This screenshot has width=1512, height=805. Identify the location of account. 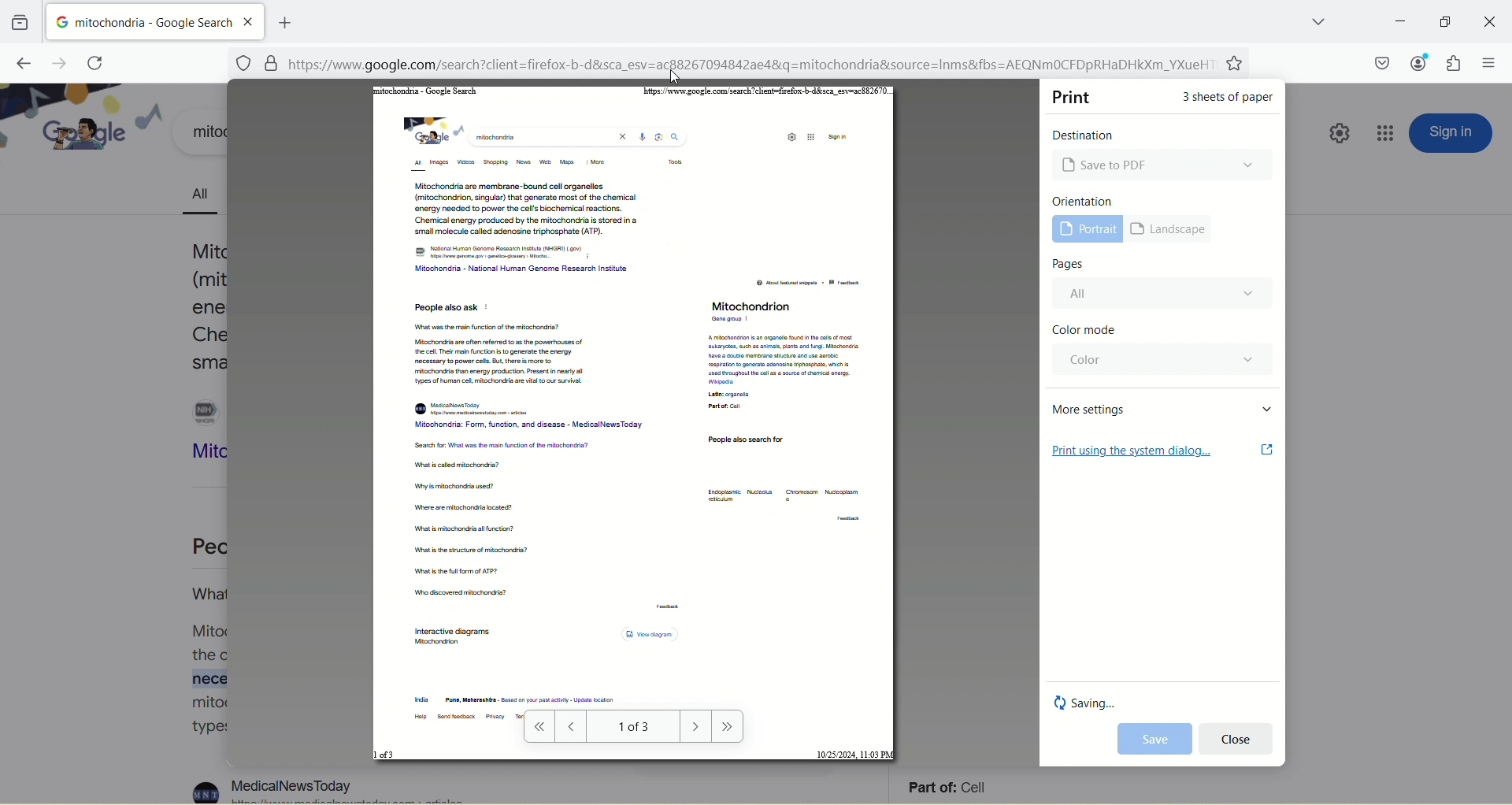
(1415, 61).